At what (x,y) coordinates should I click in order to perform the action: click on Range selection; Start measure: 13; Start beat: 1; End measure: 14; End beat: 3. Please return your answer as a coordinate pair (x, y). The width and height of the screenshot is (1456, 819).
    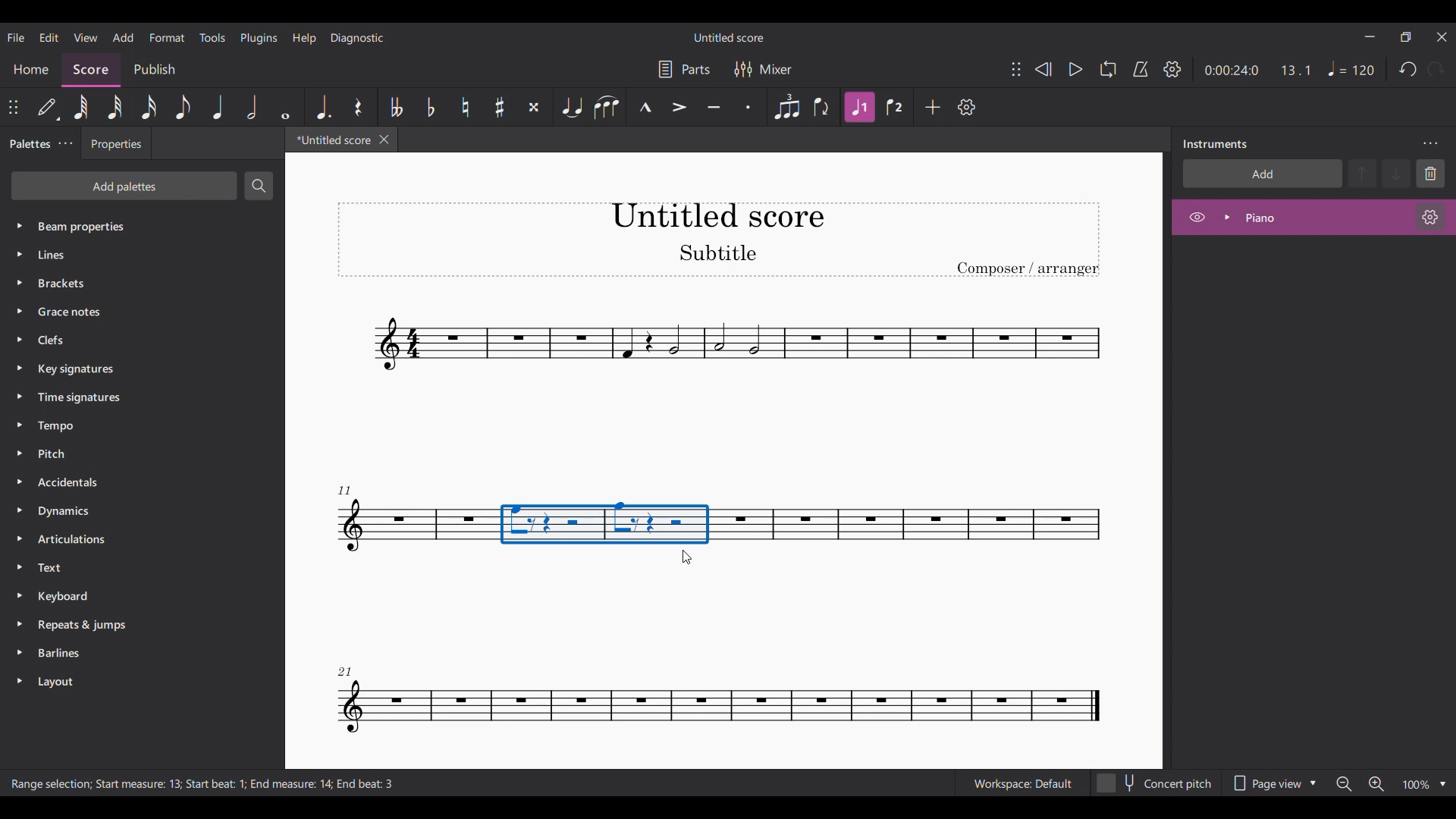
    Looking at the image, I should click on (217, 784).